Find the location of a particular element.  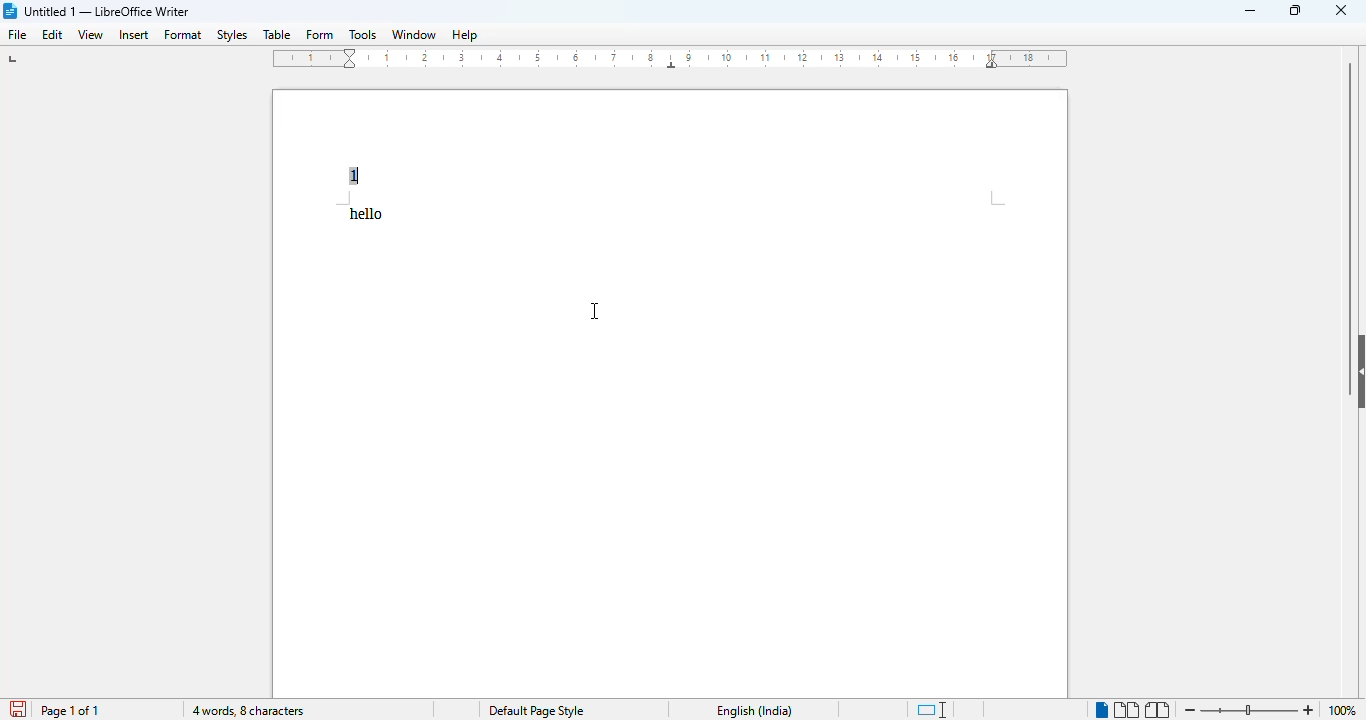

vertical scroll bar is located at coordinates (1351, 192).